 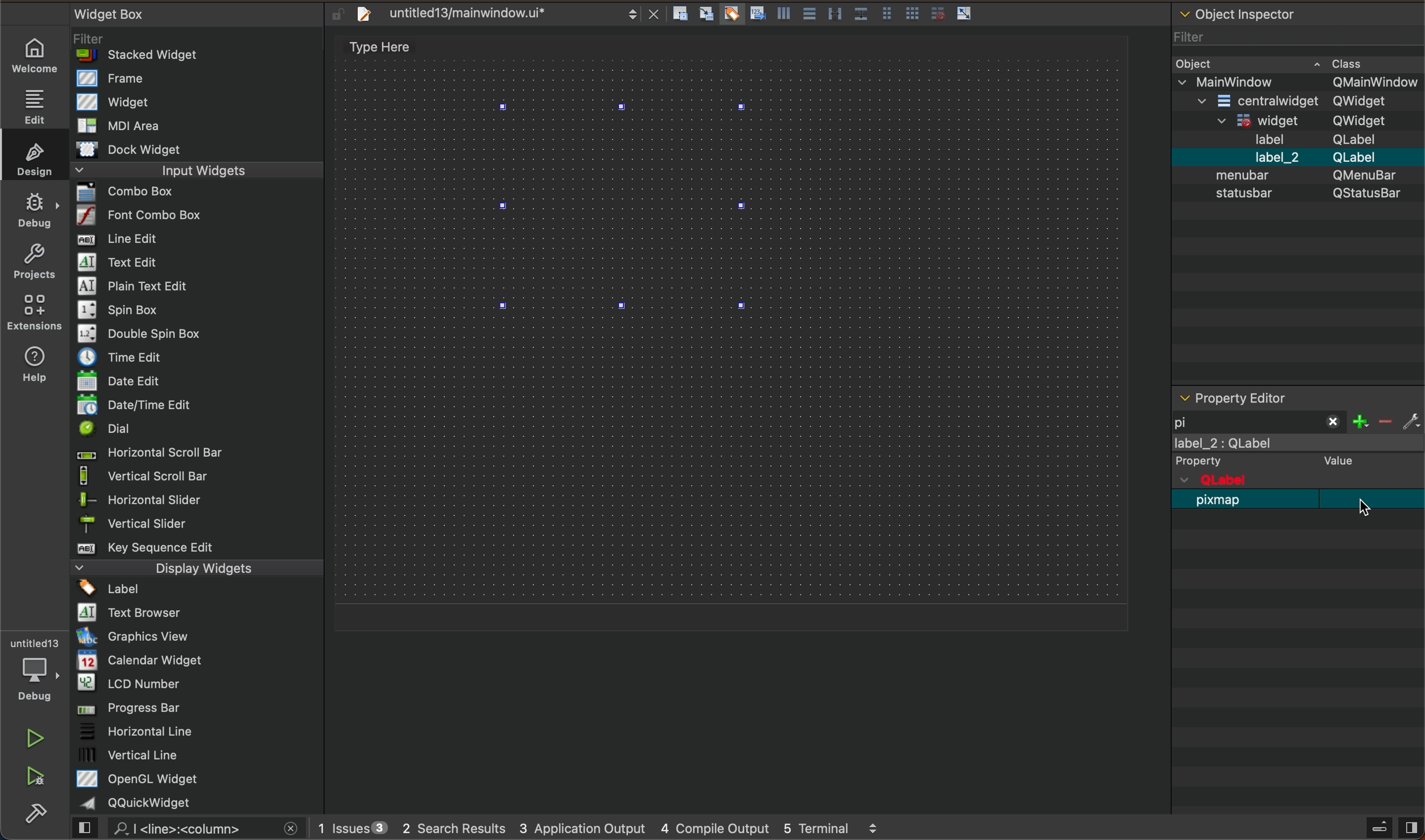 What do you see at coordinates (1389, 419) in the screenshot?
I see `filter` at bounding box center [1389, 419].